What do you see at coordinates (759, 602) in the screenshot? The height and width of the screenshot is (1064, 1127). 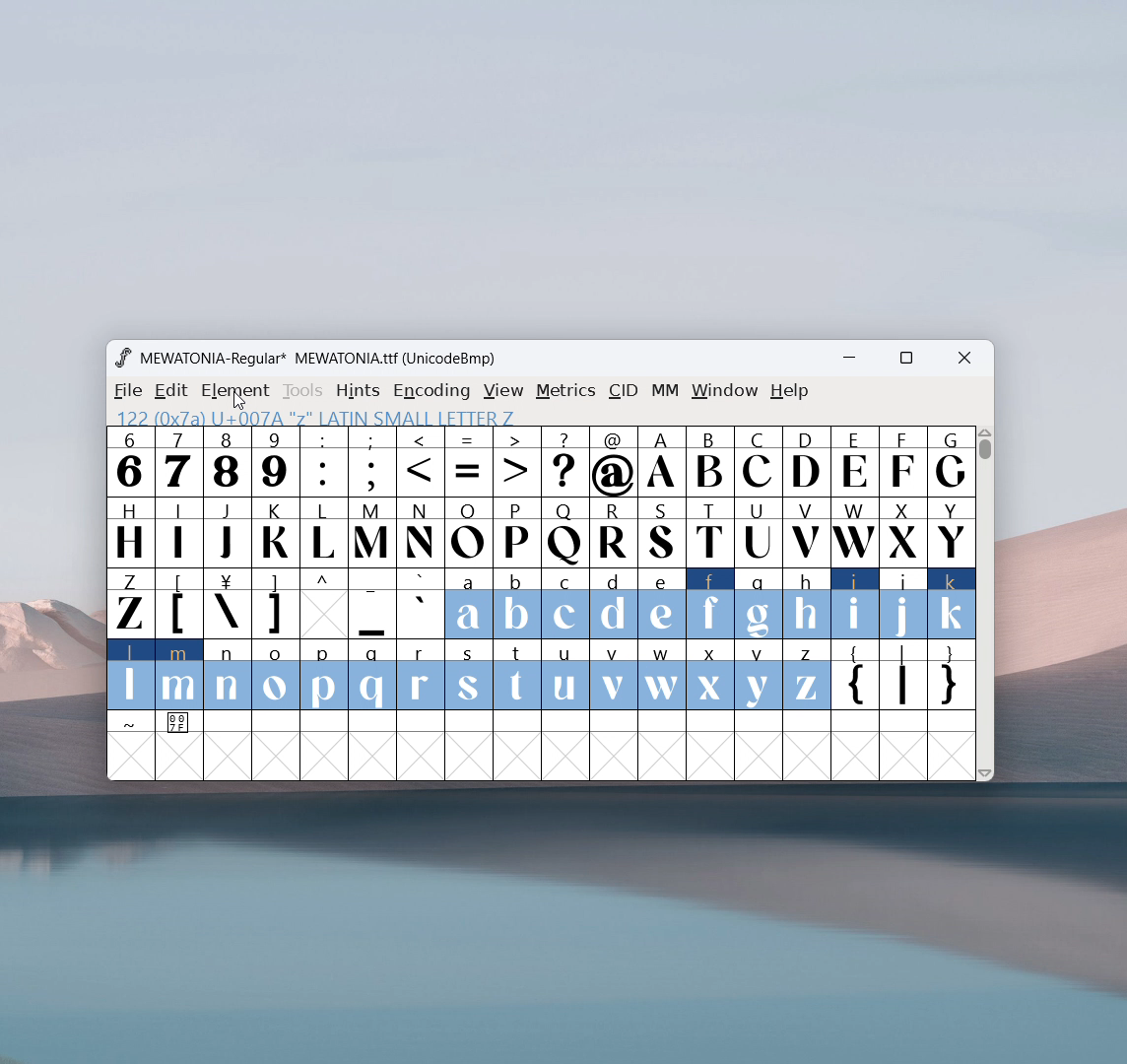 I see `g` at bounding box center [759, 602].